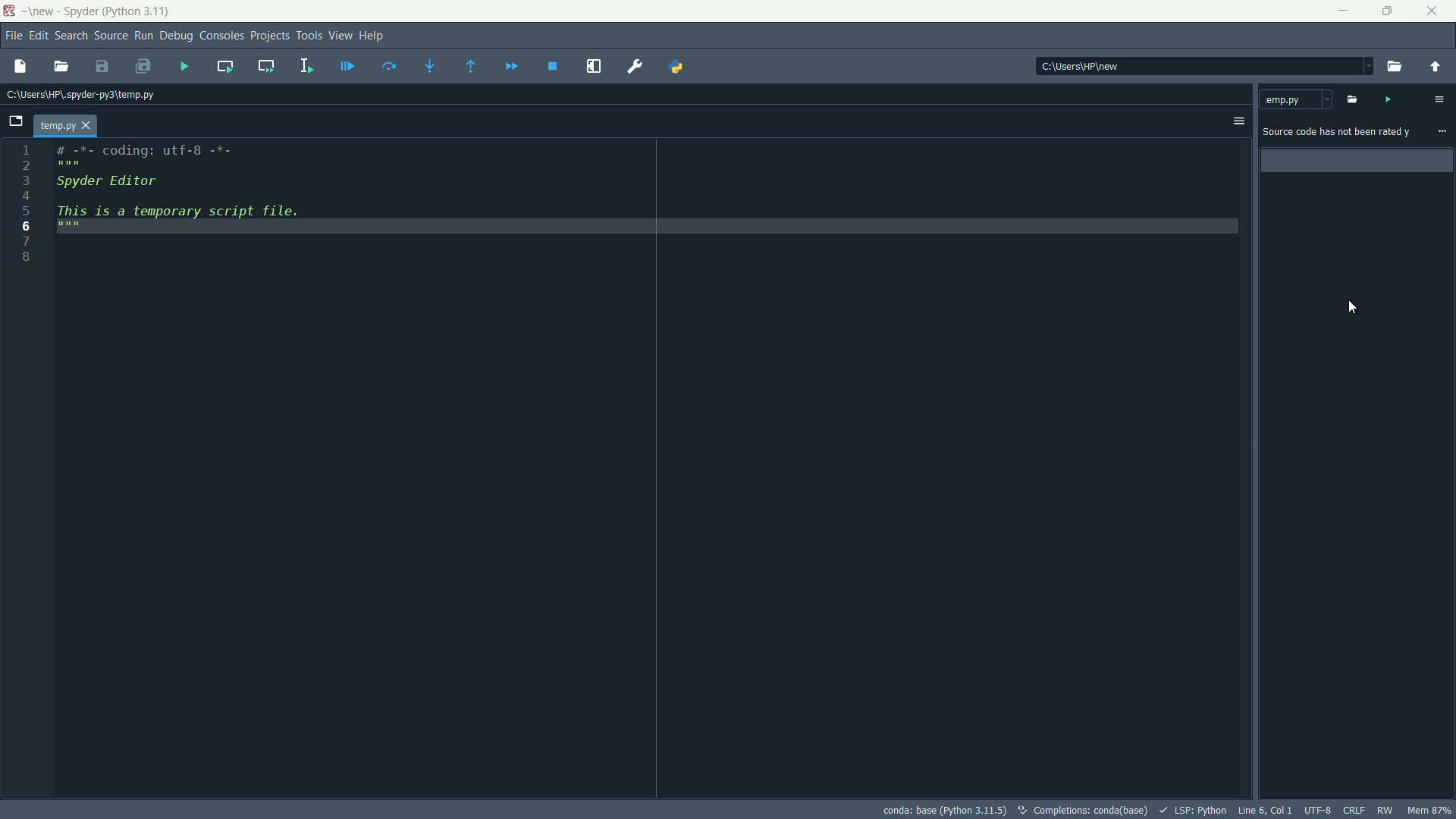 This screenshot has height=819, width=1456. I want to click on browse tabs, so click(15, 121).